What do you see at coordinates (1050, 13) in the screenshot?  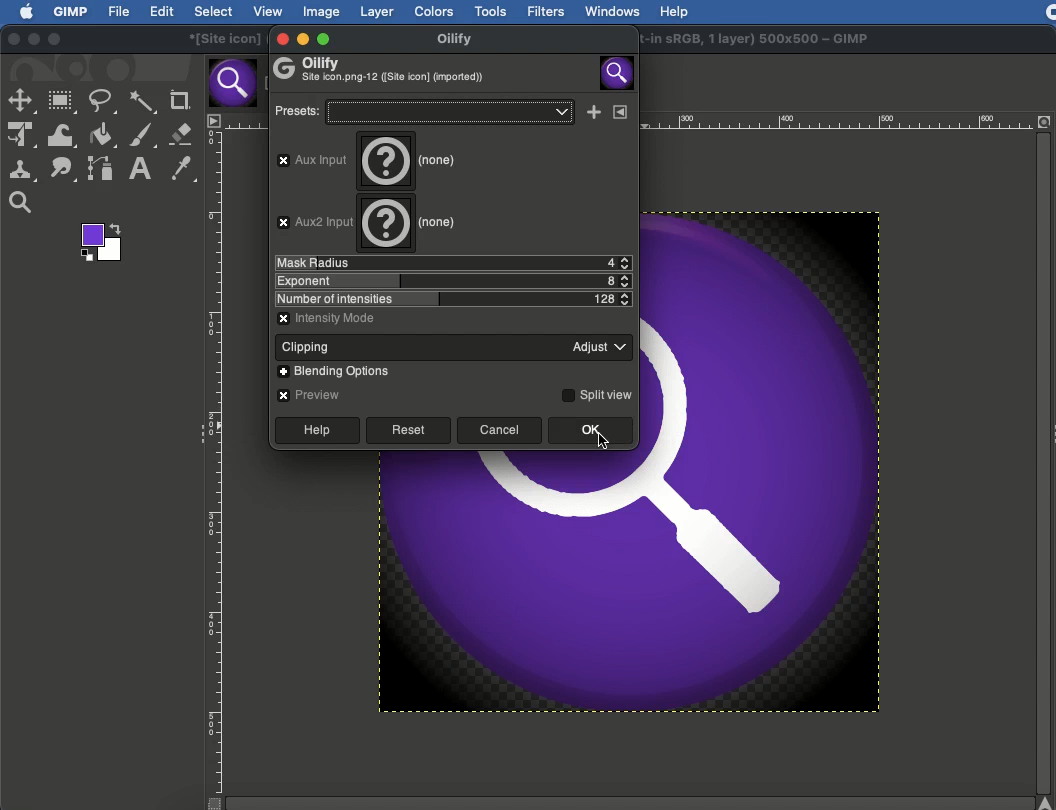 I see `Recording` at bounding box center [1050, 13].